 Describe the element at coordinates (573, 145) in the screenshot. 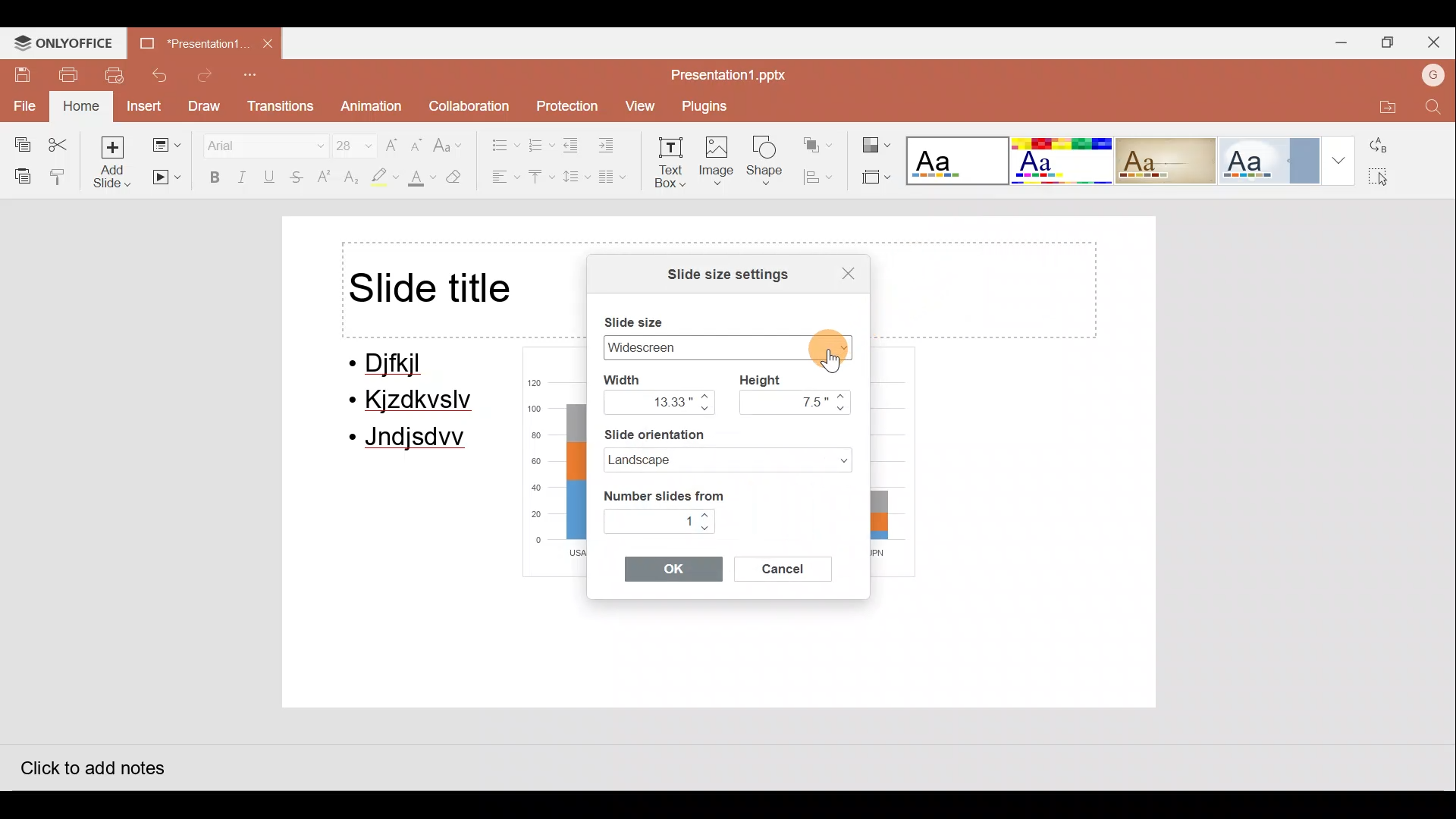

I see `Decrease indent` at that location.